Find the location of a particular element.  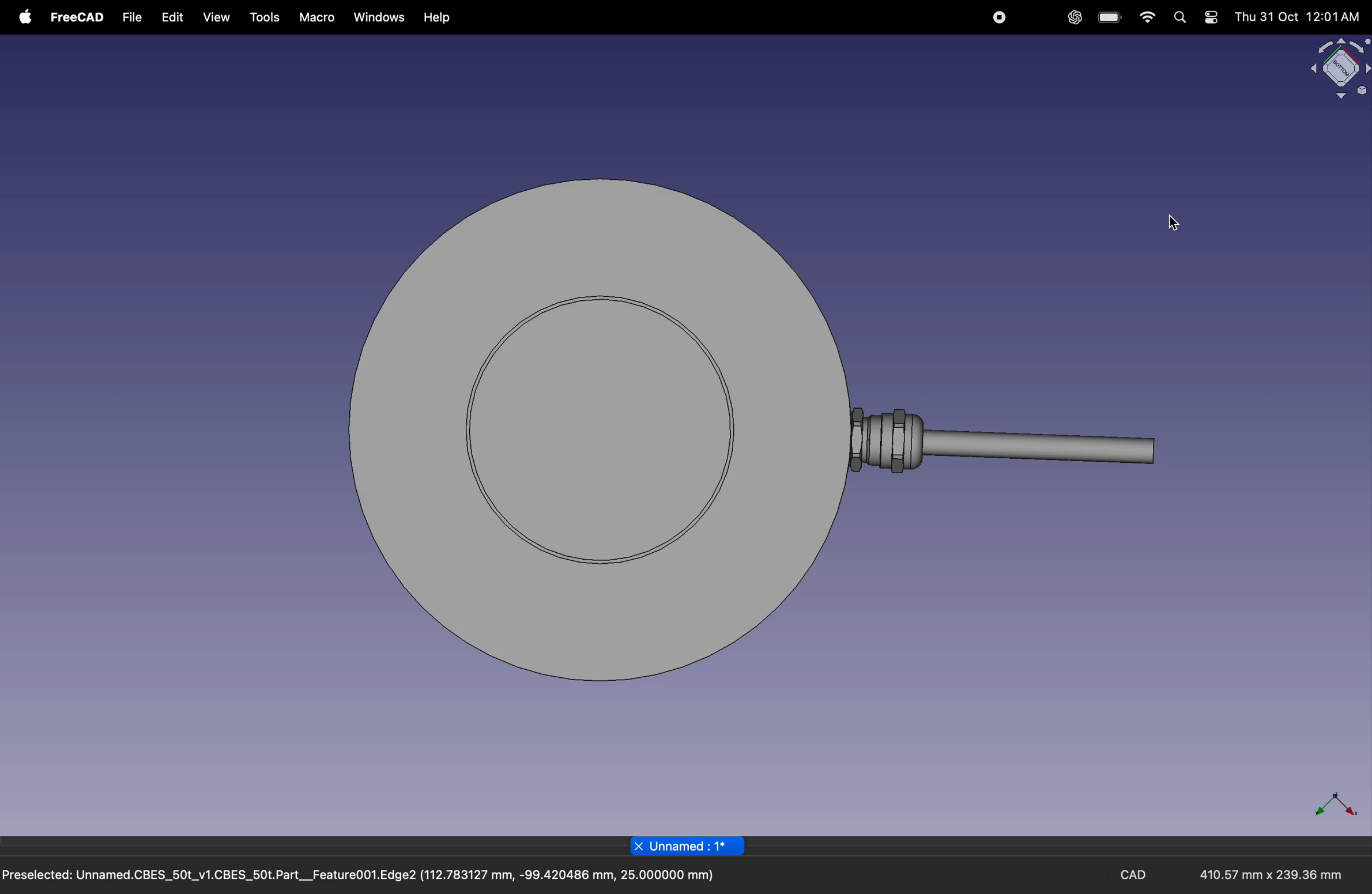

view is located at coordinates (214, 17).